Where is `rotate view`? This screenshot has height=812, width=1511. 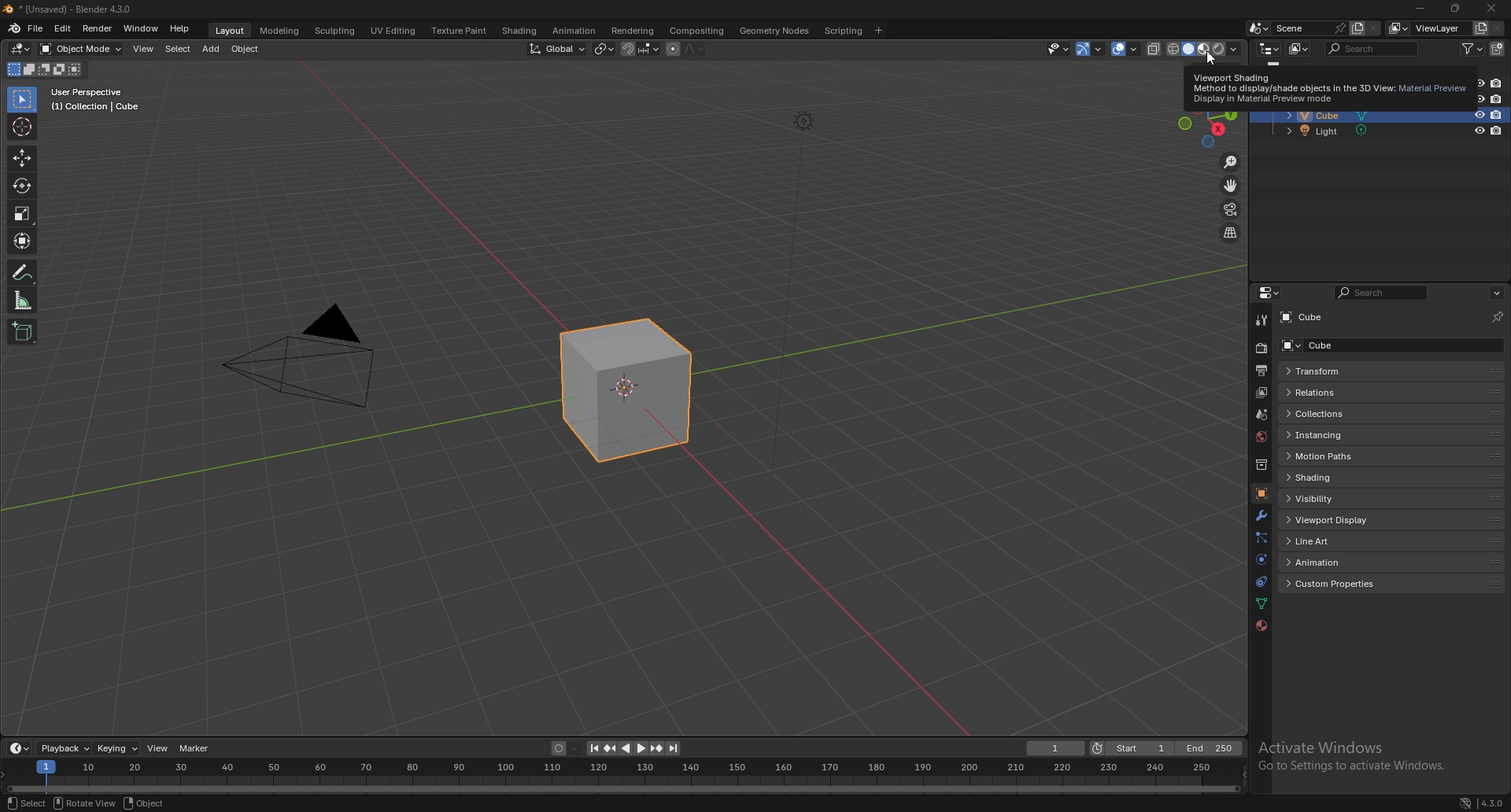
rotate view is located at coordinates (84, 804).